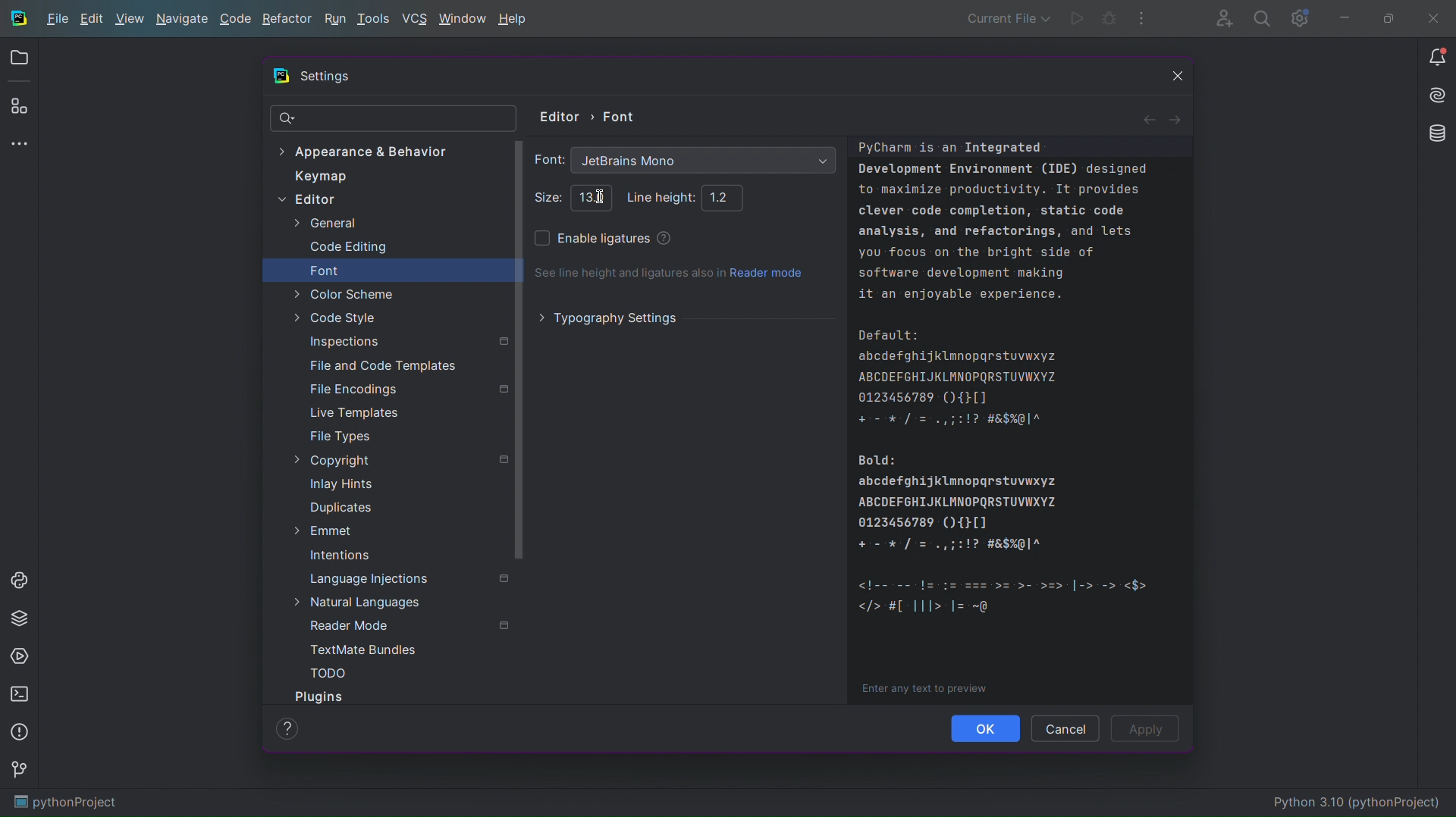 This screenshot has width=1456, height=817. I want to click on Cancel, so click(1065, 728).